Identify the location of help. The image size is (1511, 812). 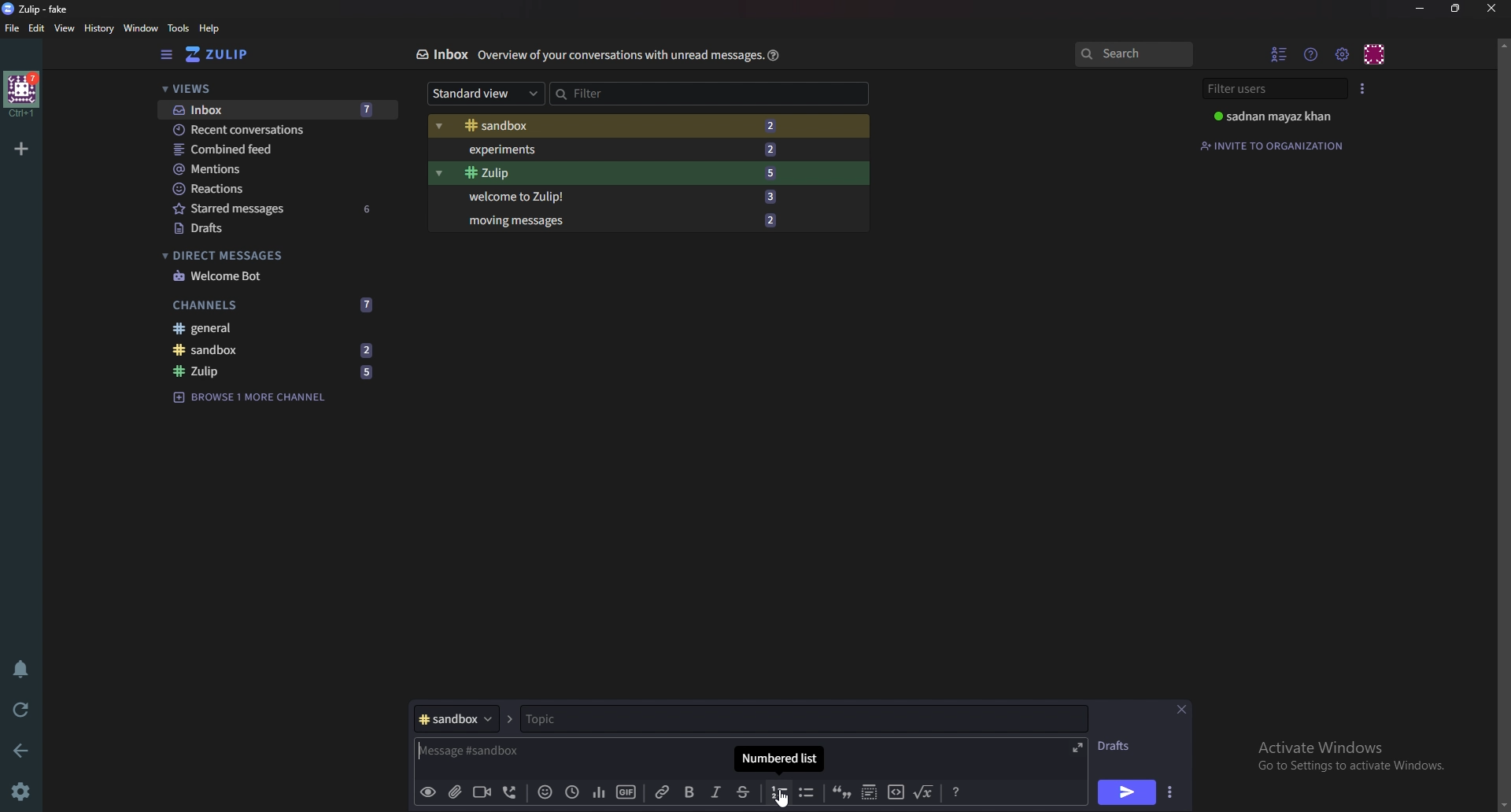
(209, 29).